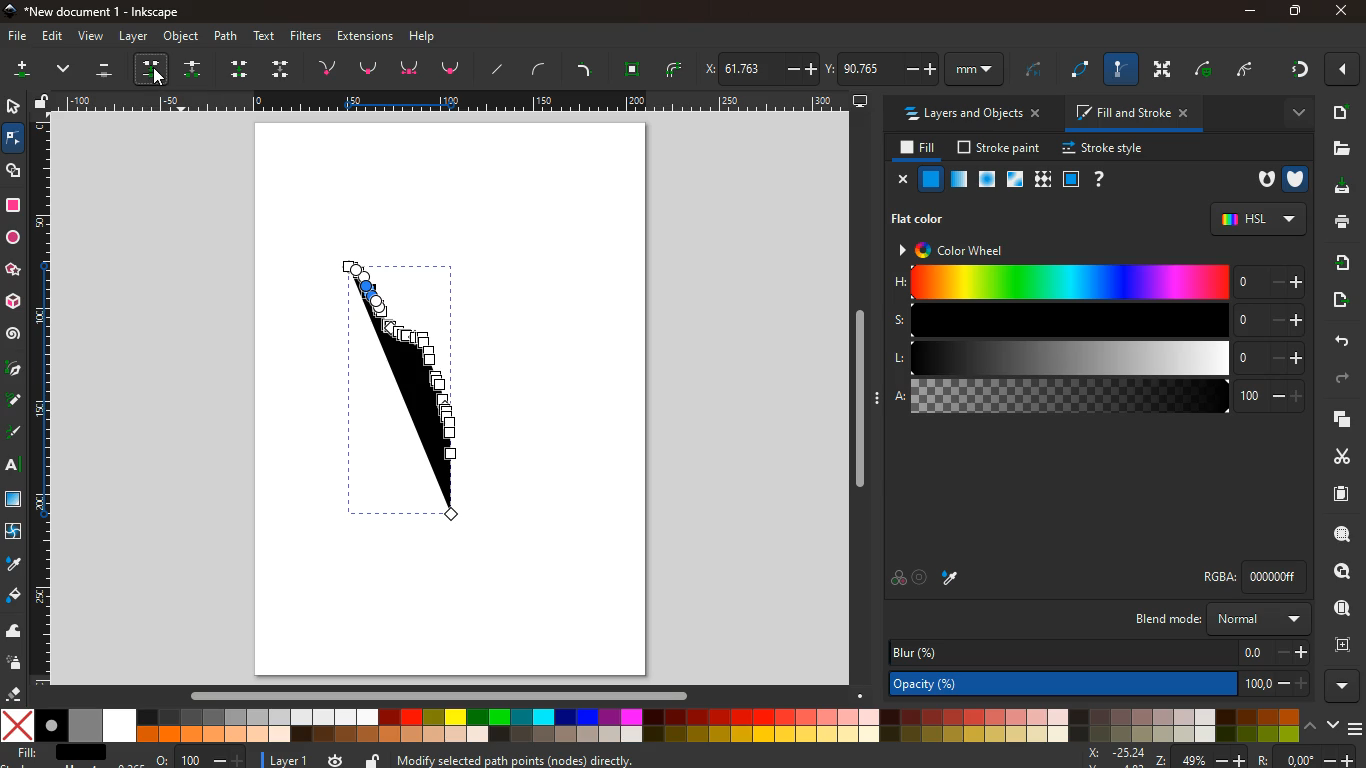 This screenshot has height=768, width=1366. I want to click on pick, so click(13, 370).